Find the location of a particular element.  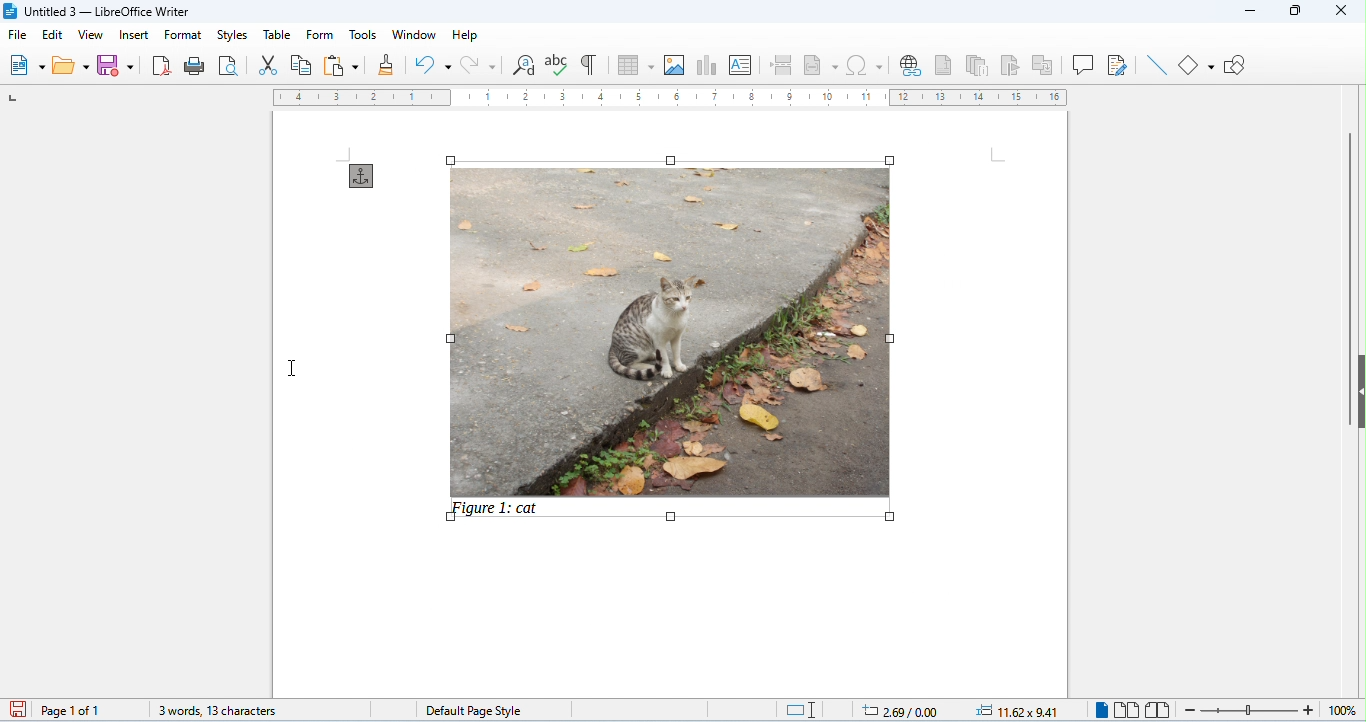

zoom is located at coordinates (1265, 709).